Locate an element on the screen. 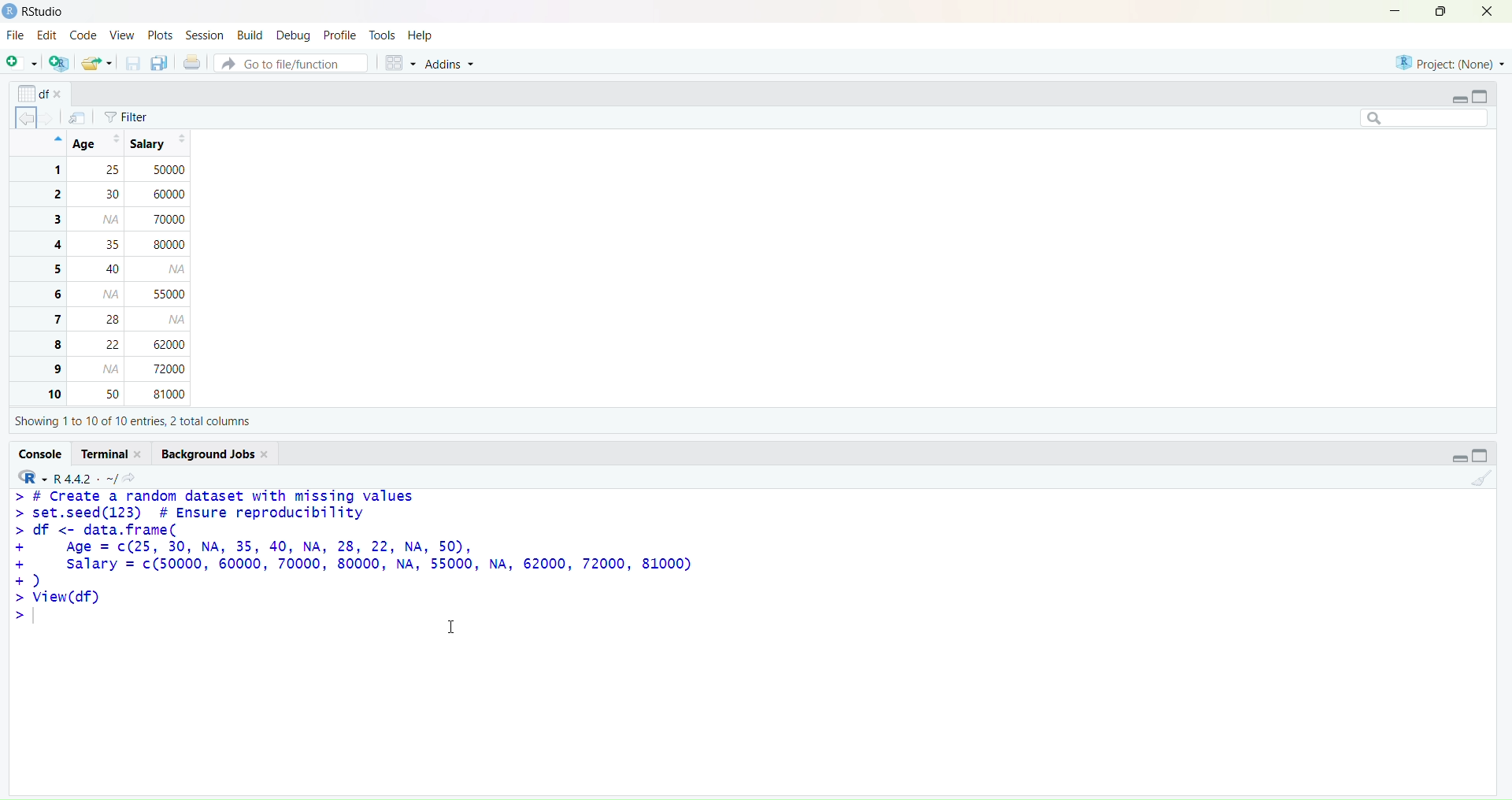  build is located at coordinates (250, 35).